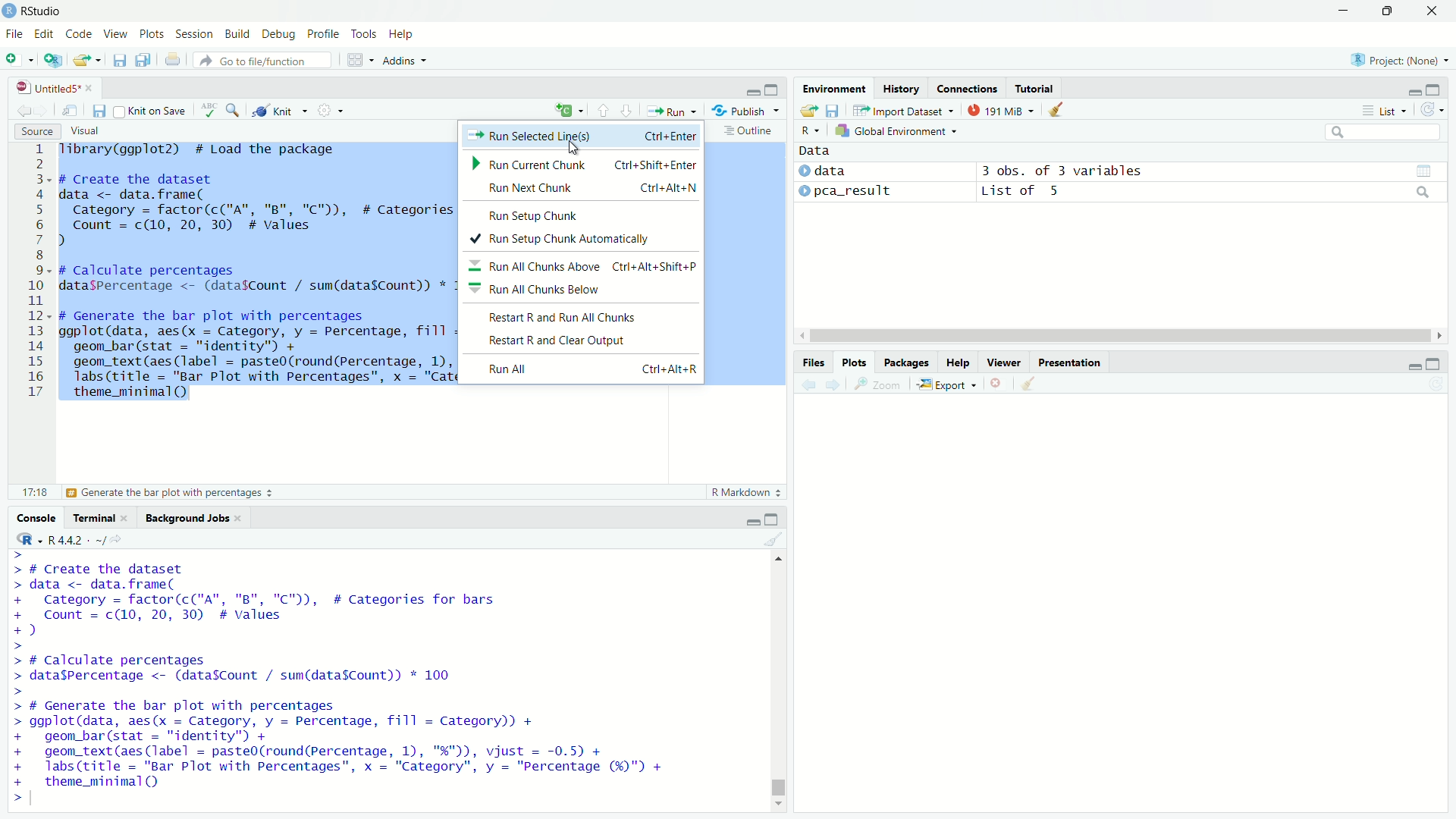 Image resolution: width=1456 pixels, height=819 pixels. What do you see at coordinates (878, 384) in the screenshot?
I see `Zoom` at bounding box center [878, 384].